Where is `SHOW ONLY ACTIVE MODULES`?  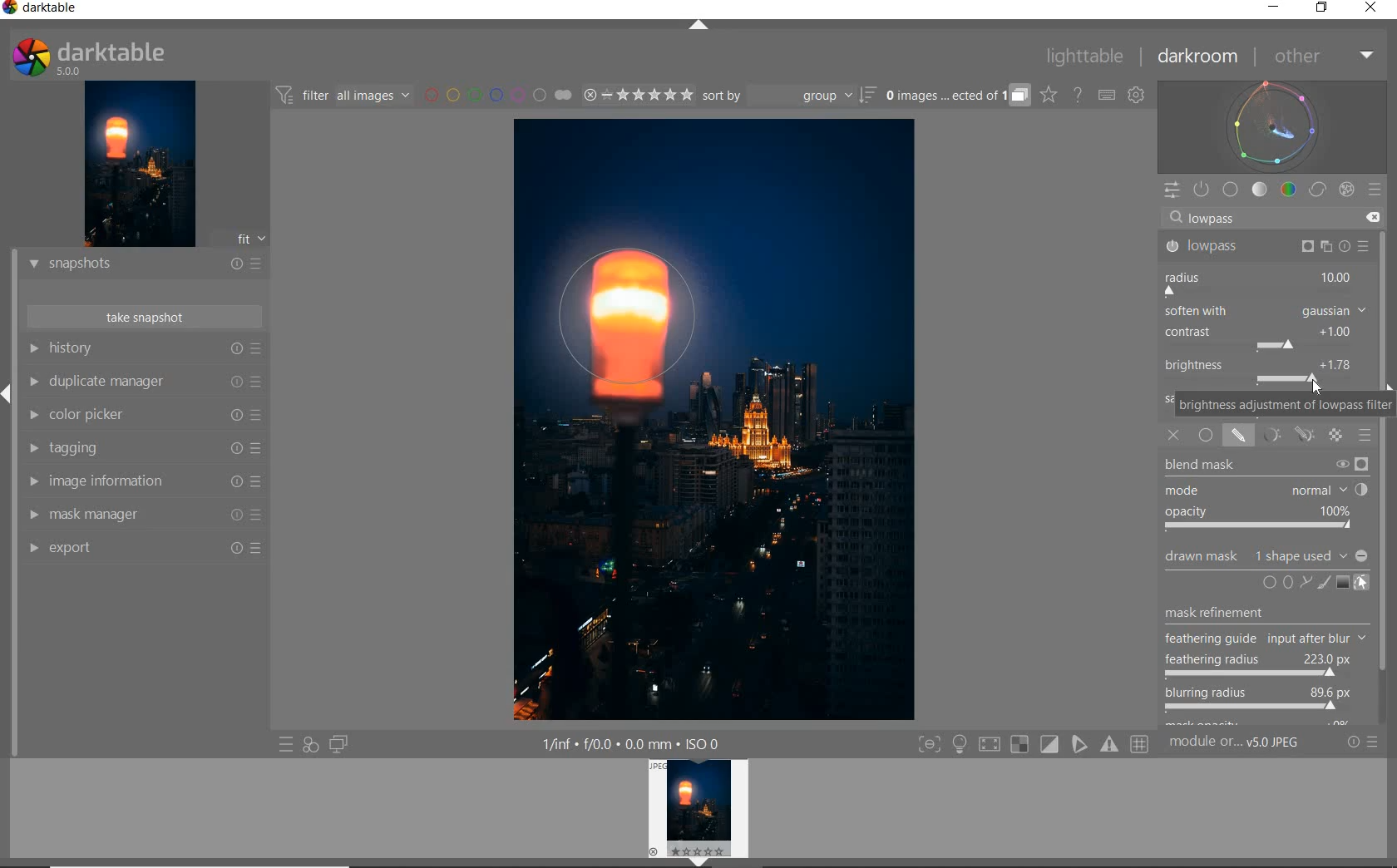 SHOW ONLY ACTIVE MODULES is located at coordinates (1202, 189).